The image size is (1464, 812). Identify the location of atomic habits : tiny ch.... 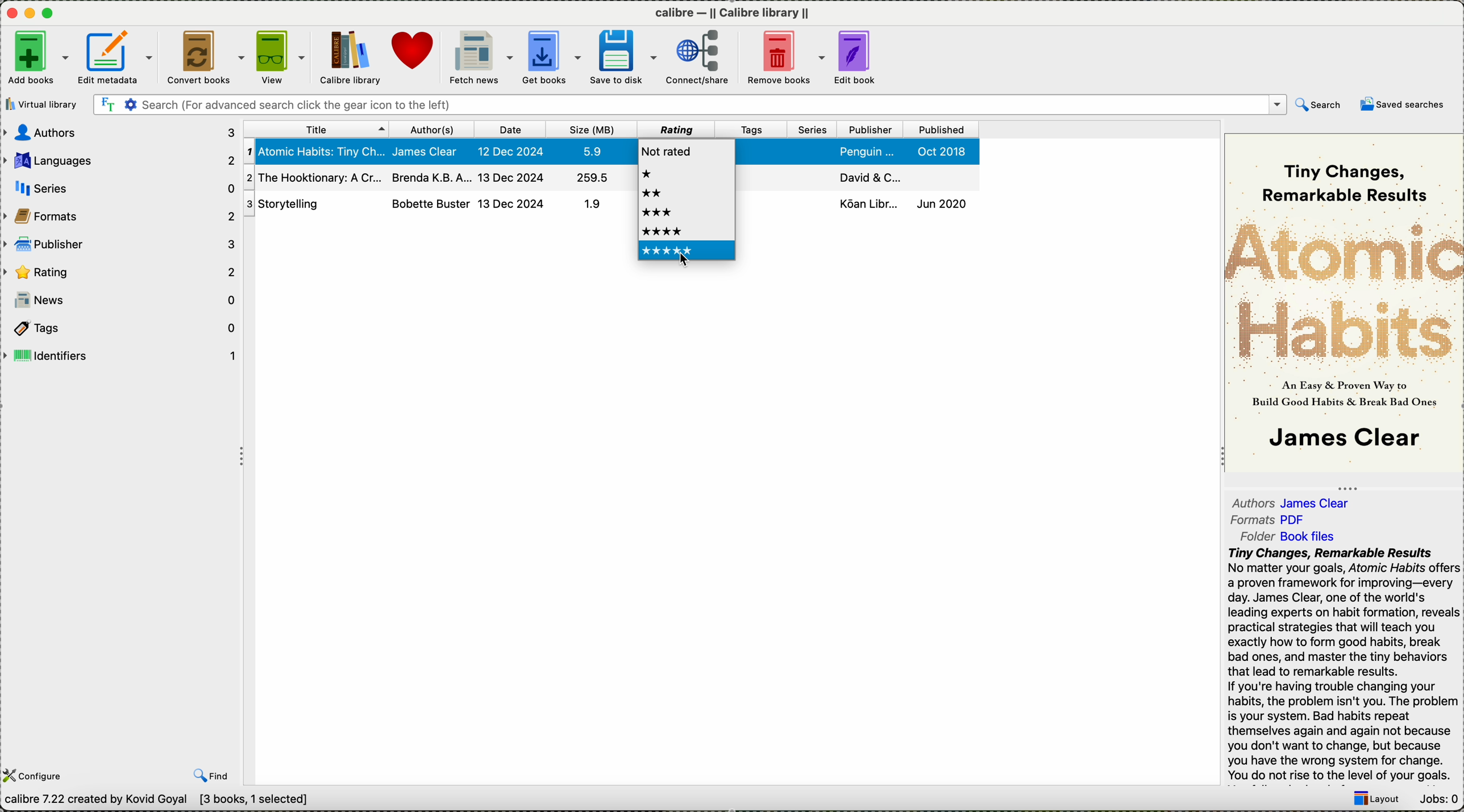
(315, 152).